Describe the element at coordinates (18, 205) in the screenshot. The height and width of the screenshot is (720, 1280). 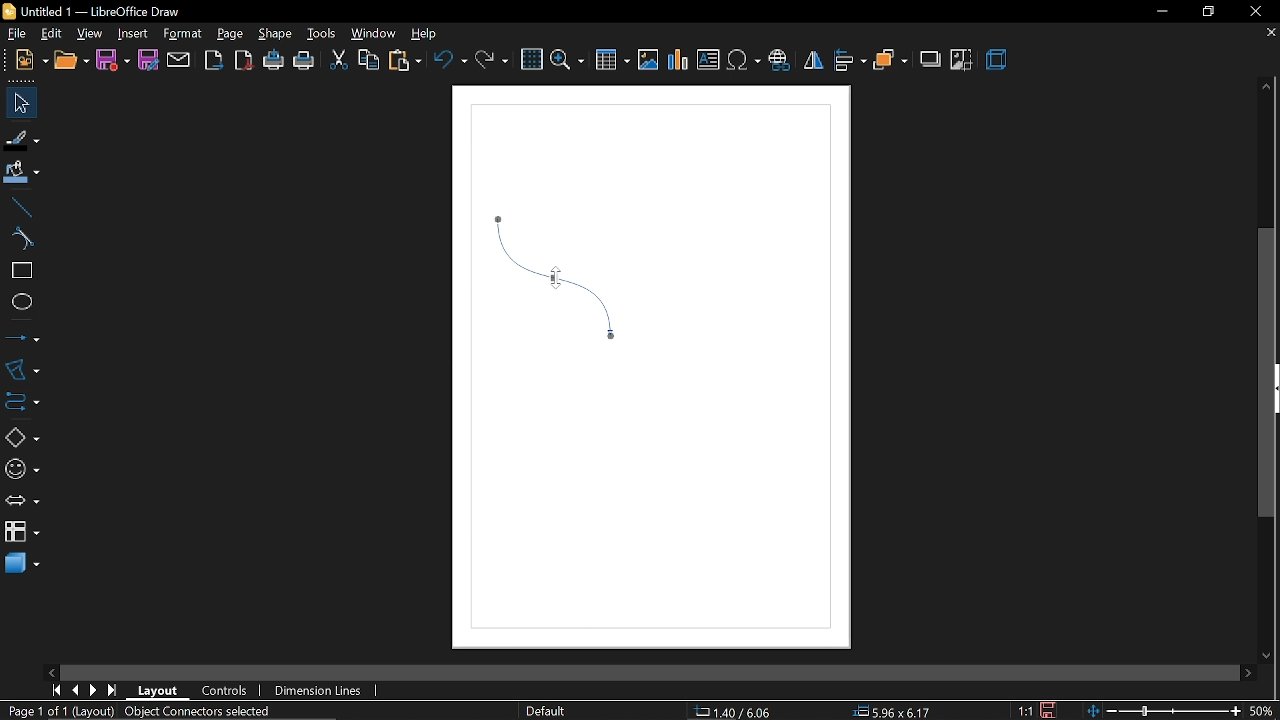
I see `line` at that location.